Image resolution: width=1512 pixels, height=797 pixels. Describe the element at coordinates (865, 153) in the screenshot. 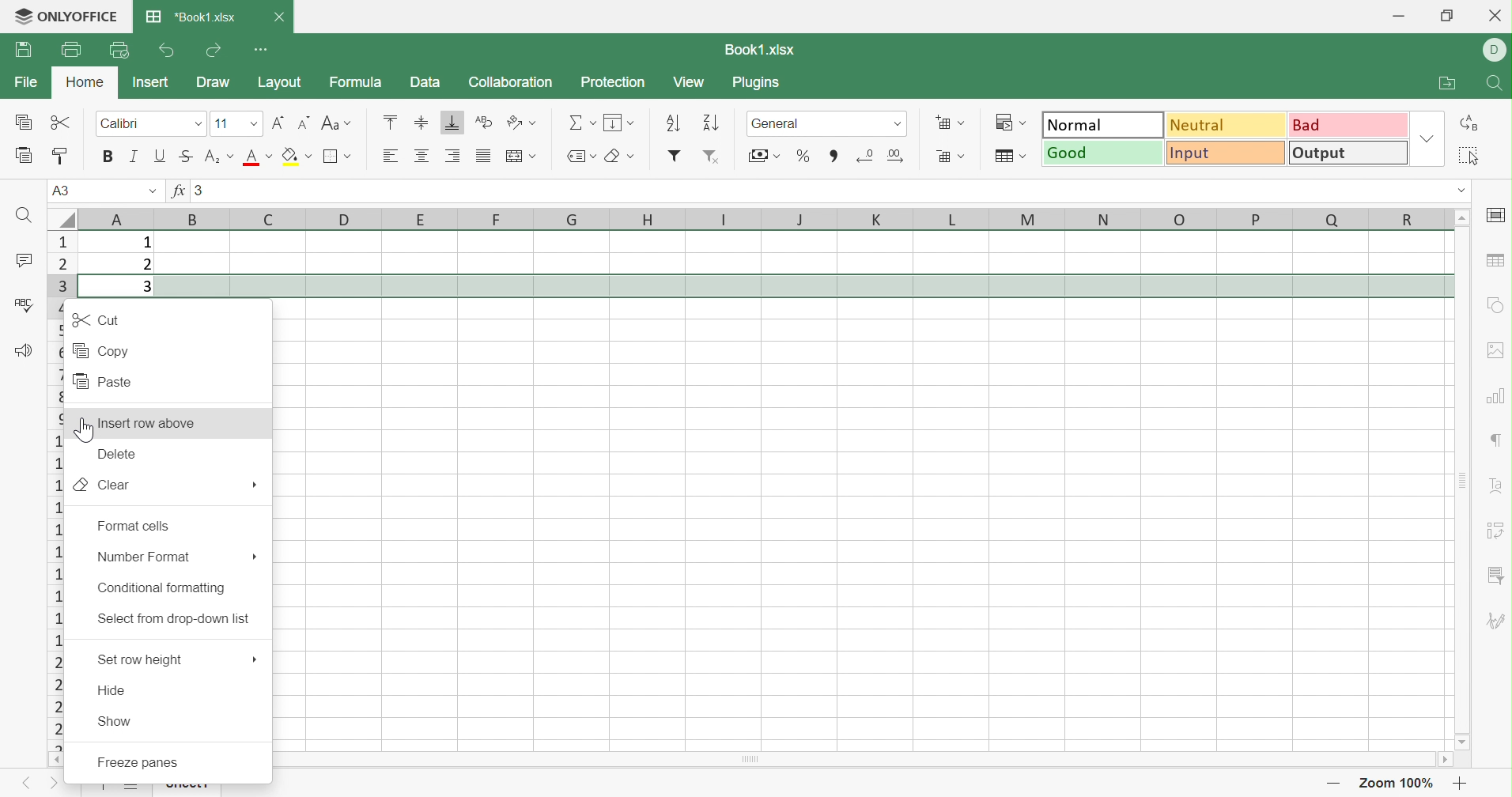

I see `Decrement cells` at that location.